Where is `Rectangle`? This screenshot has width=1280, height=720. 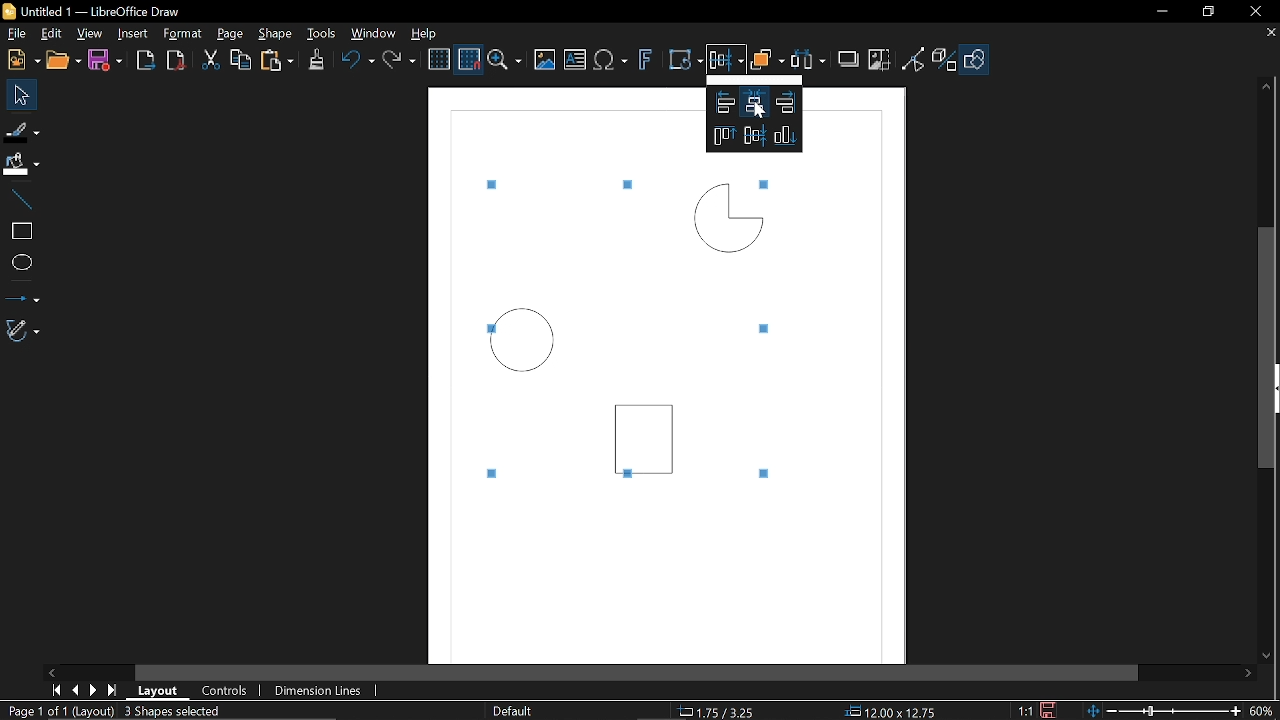 Rectangle is located at coordinates (648, 433).